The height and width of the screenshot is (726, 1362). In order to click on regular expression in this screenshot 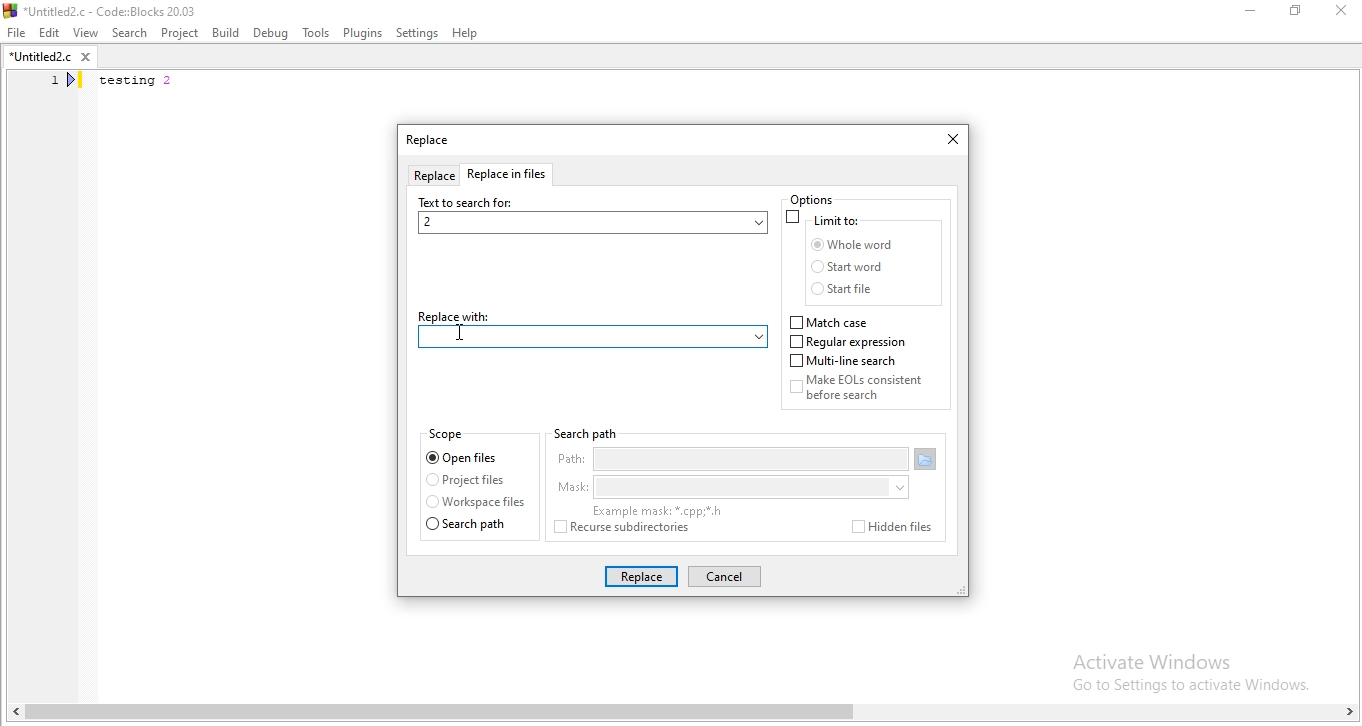, I will do `click(851, 342)`.